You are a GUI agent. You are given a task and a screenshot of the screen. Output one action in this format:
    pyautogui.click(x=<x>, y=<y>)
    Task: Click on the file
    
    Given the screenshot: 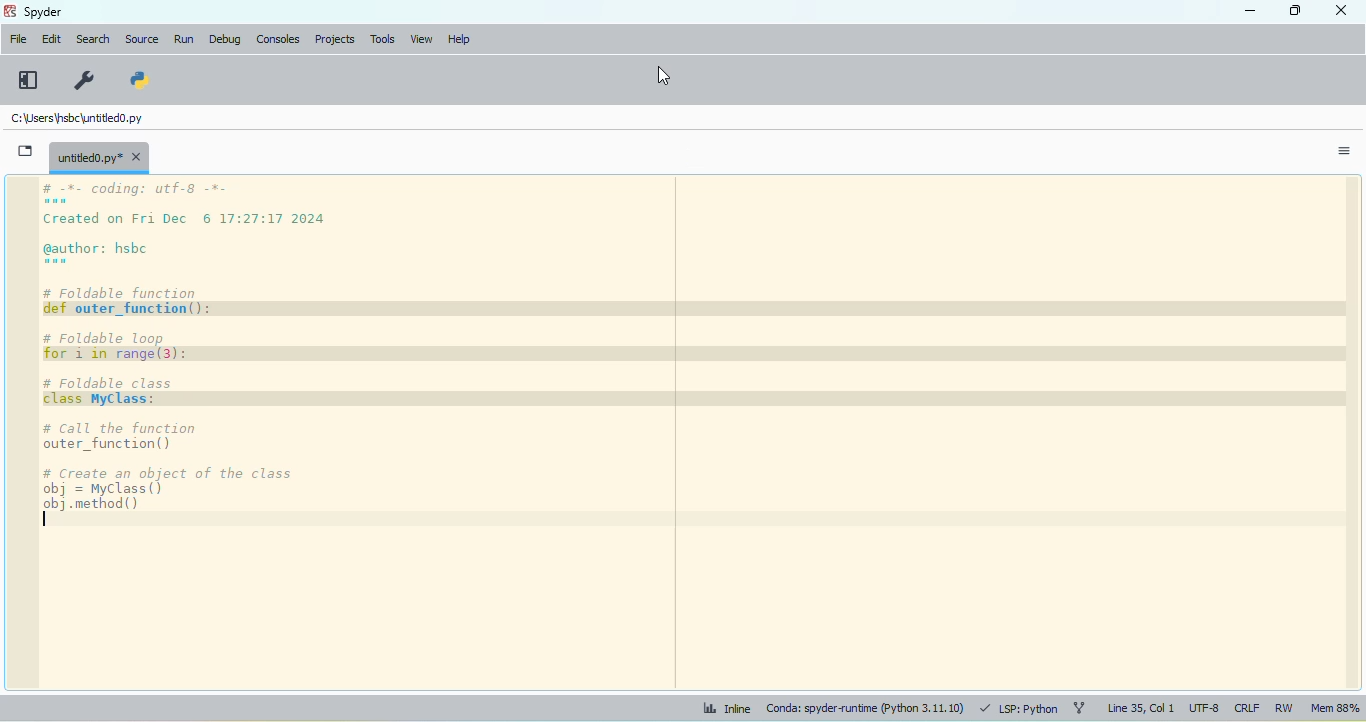 What is the action you would take?
    pyautogui.click(x=17, y=38)
    